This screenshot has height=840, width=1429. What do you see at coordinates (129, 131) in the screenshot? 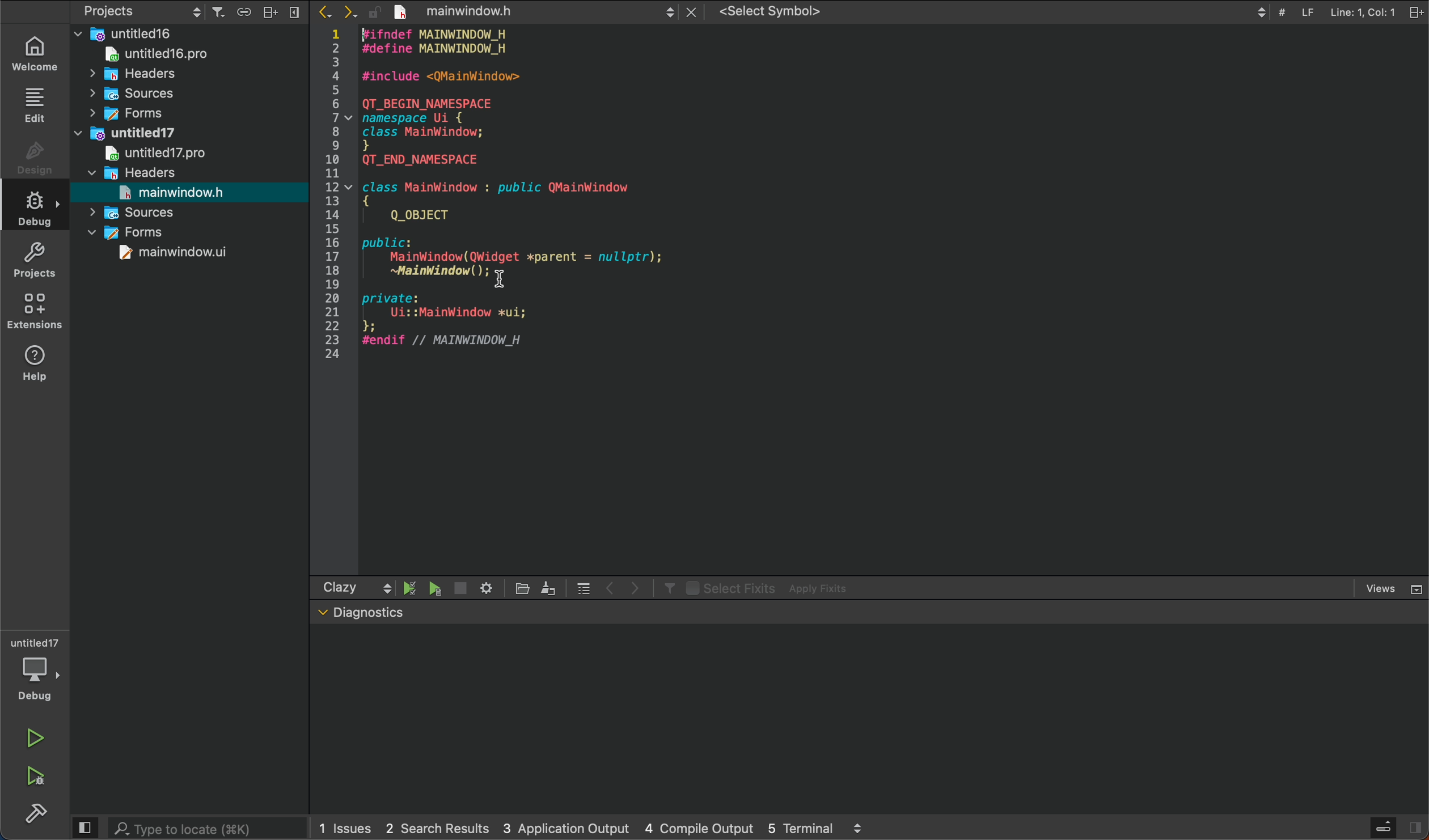
I see `untitled17` at bounding box center [129, 131].